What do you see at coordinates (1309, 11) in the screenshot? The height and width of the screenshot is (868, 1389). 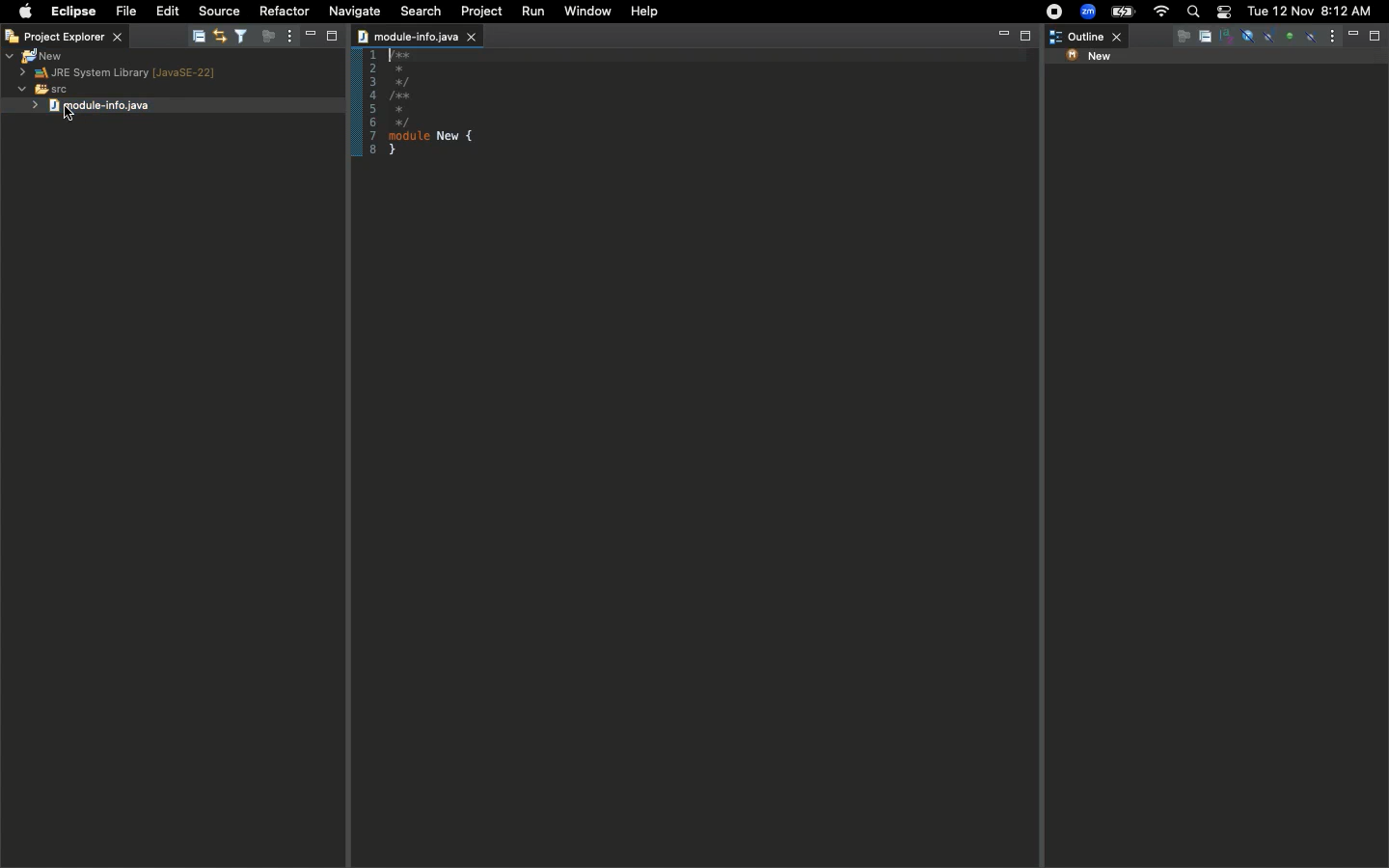 I see `Date/time` at bounding box center [1309, 11].